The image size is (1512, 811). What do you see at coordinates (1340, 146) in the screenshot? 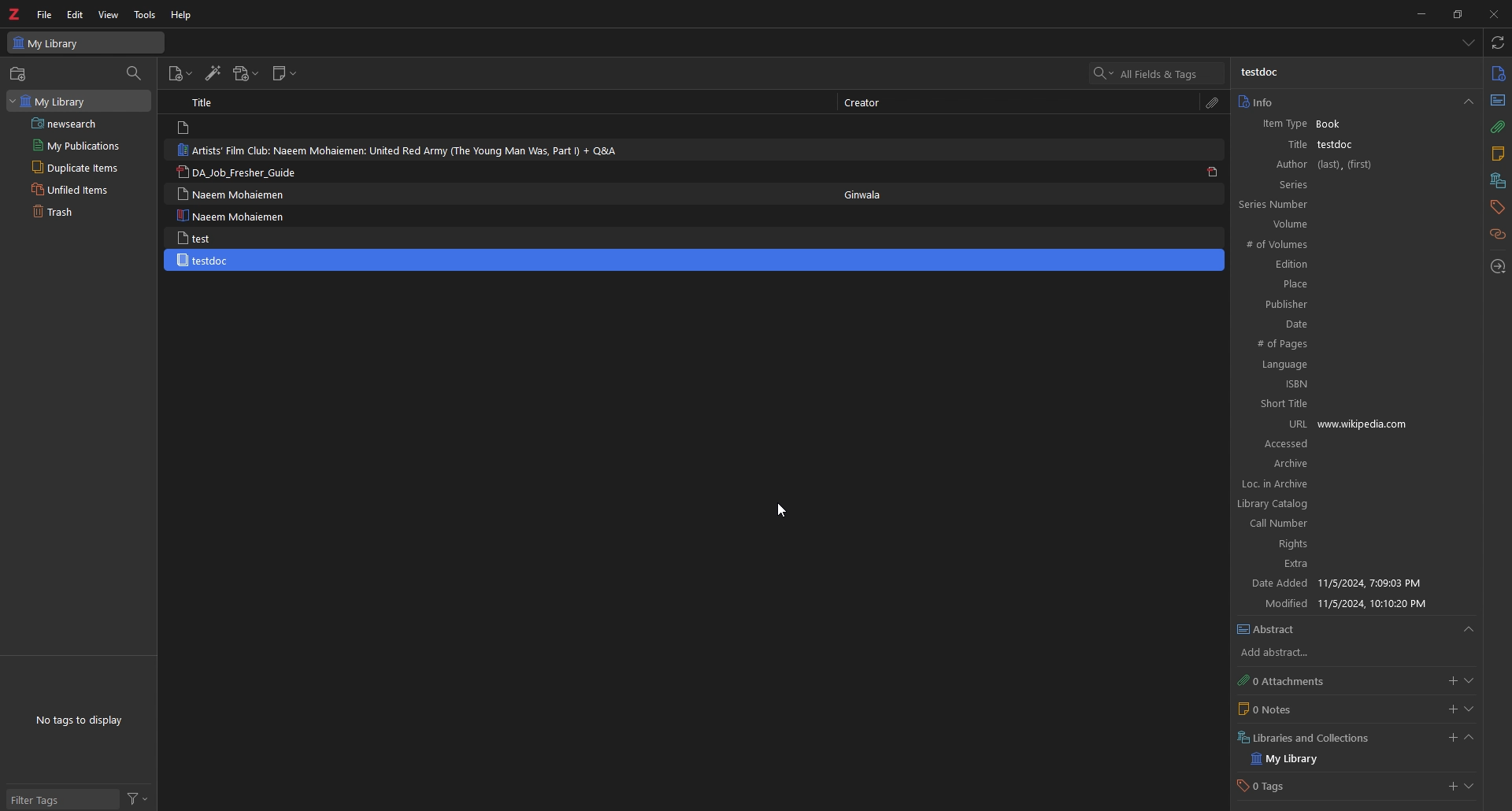
I see `testdoc` at bounding box center [1340, 146].